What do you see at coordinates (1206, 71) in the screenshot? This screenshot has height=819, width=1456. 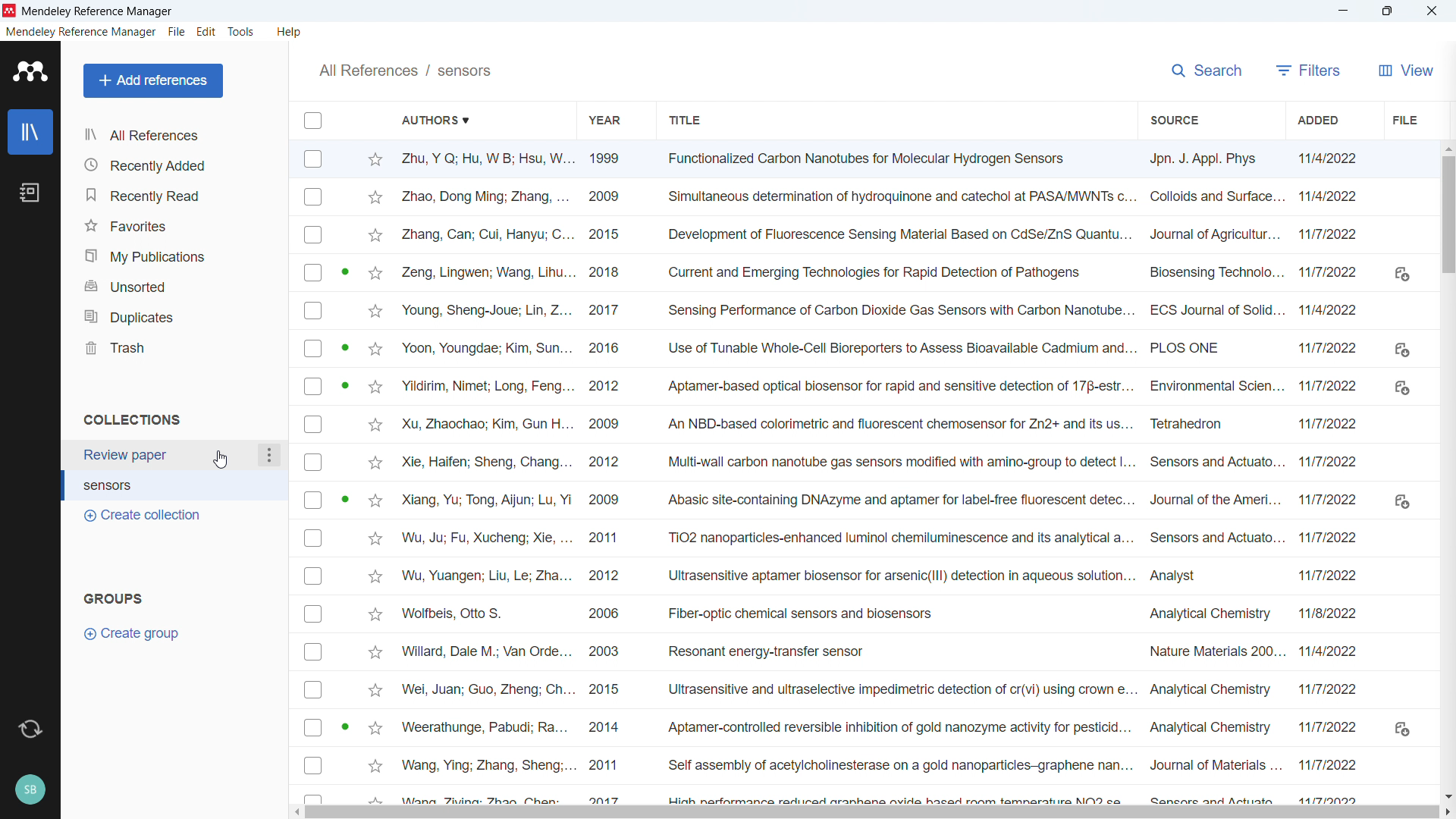 I see `Search ` at bounding box center [1206, 71].